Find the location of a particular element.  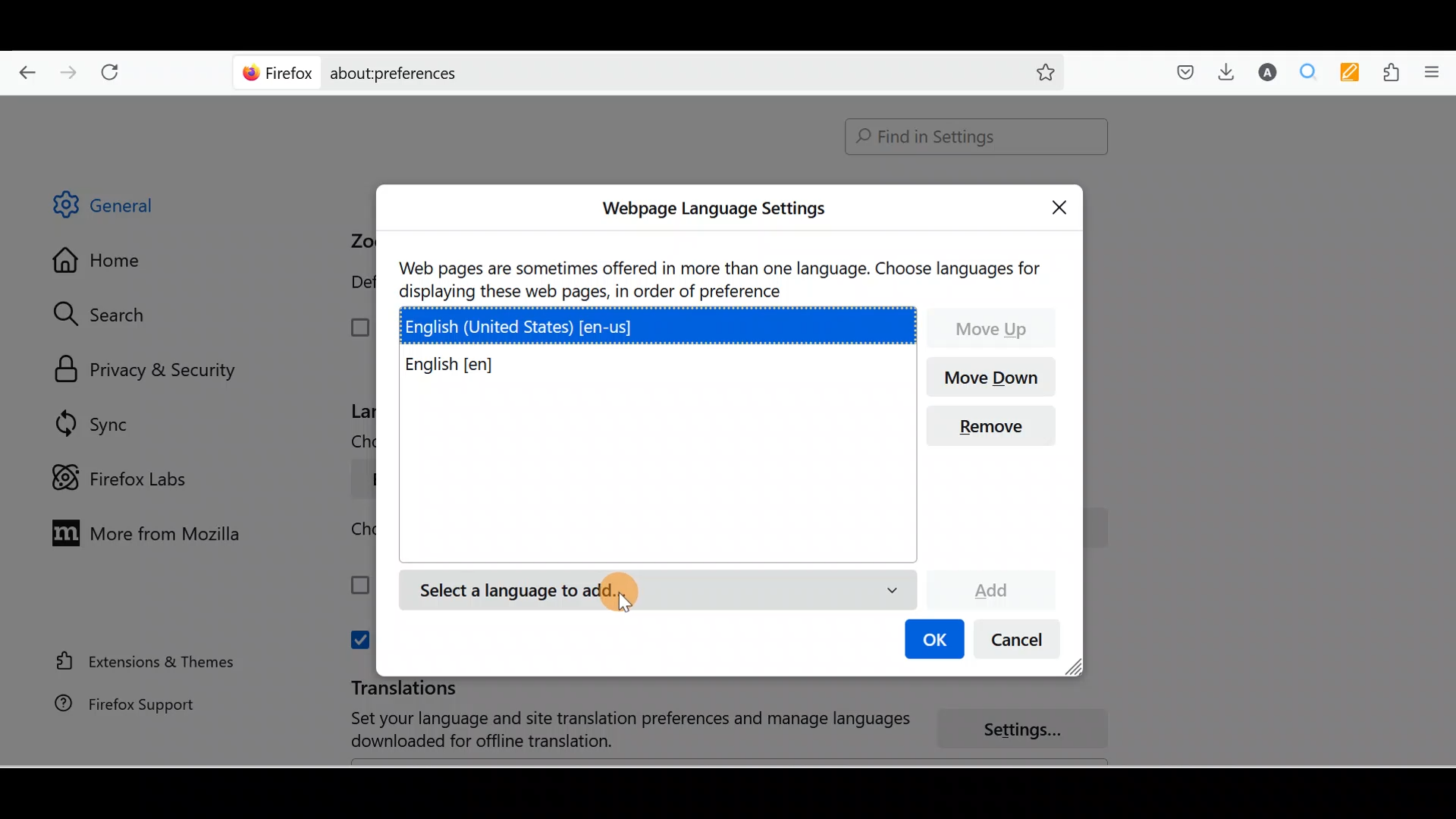

Reload current page is located at coordinates (115, 69).